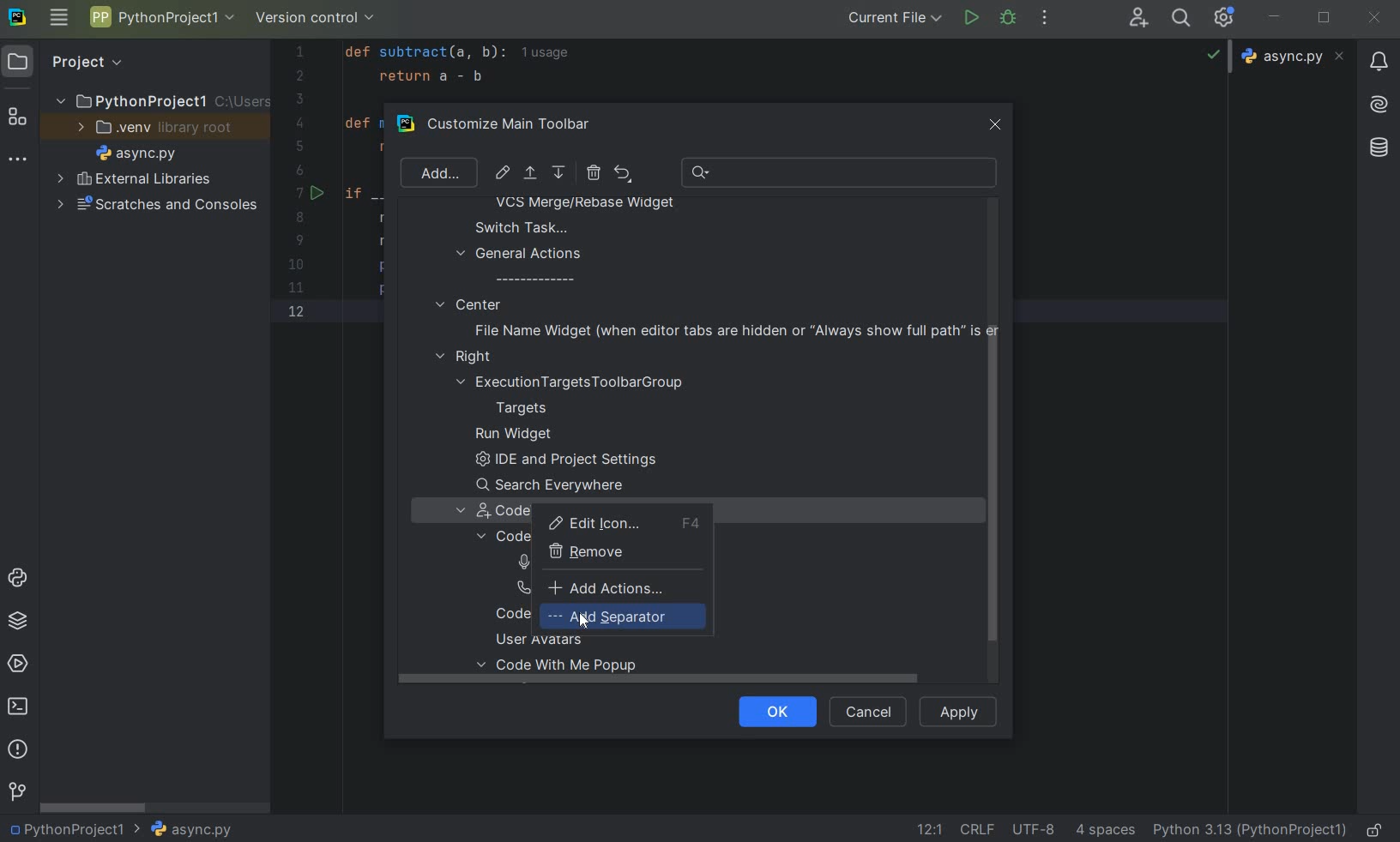  I want to click on PROJECT NAME, so click(160, 99).